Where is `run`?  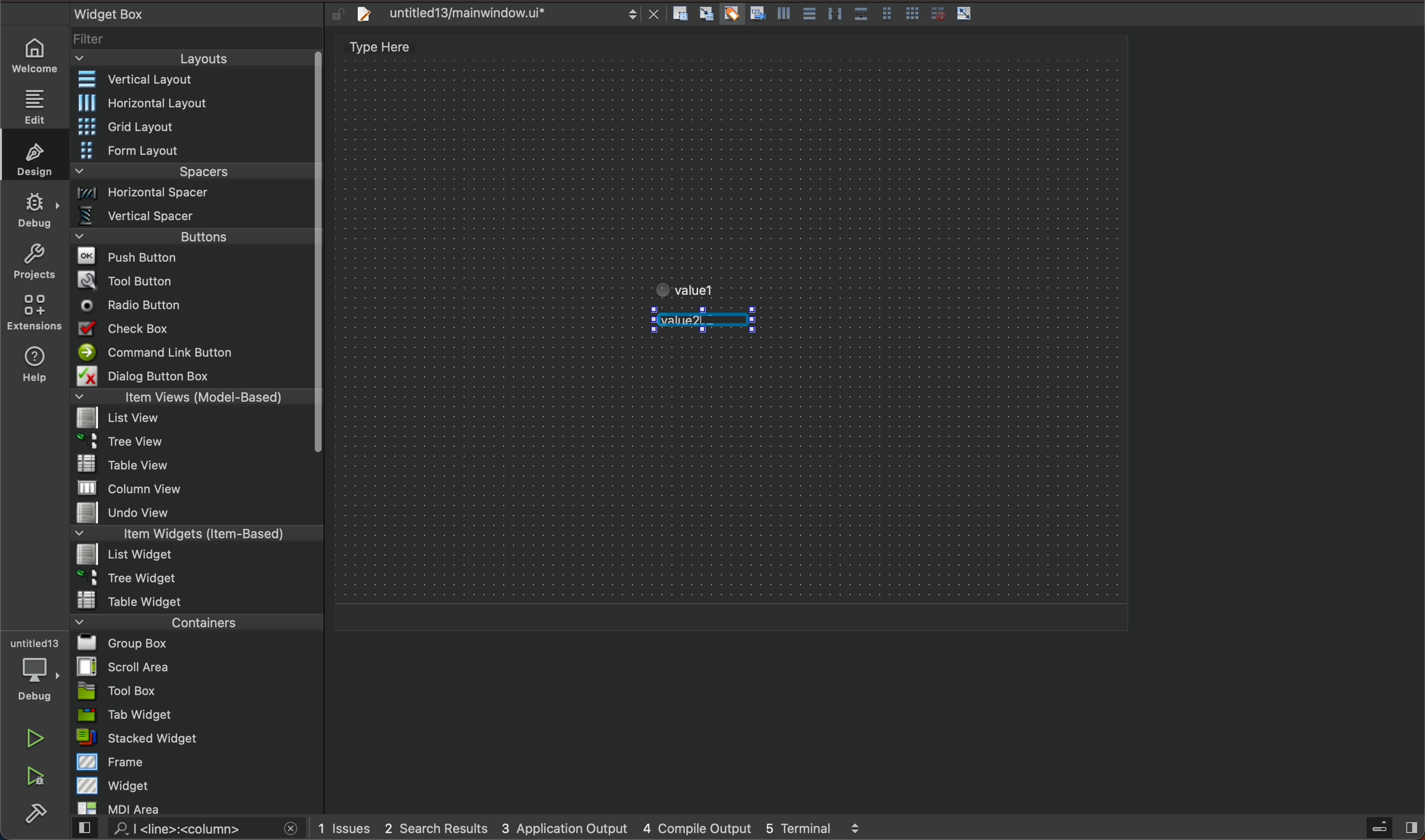 run is located at coordinates (37, 738).